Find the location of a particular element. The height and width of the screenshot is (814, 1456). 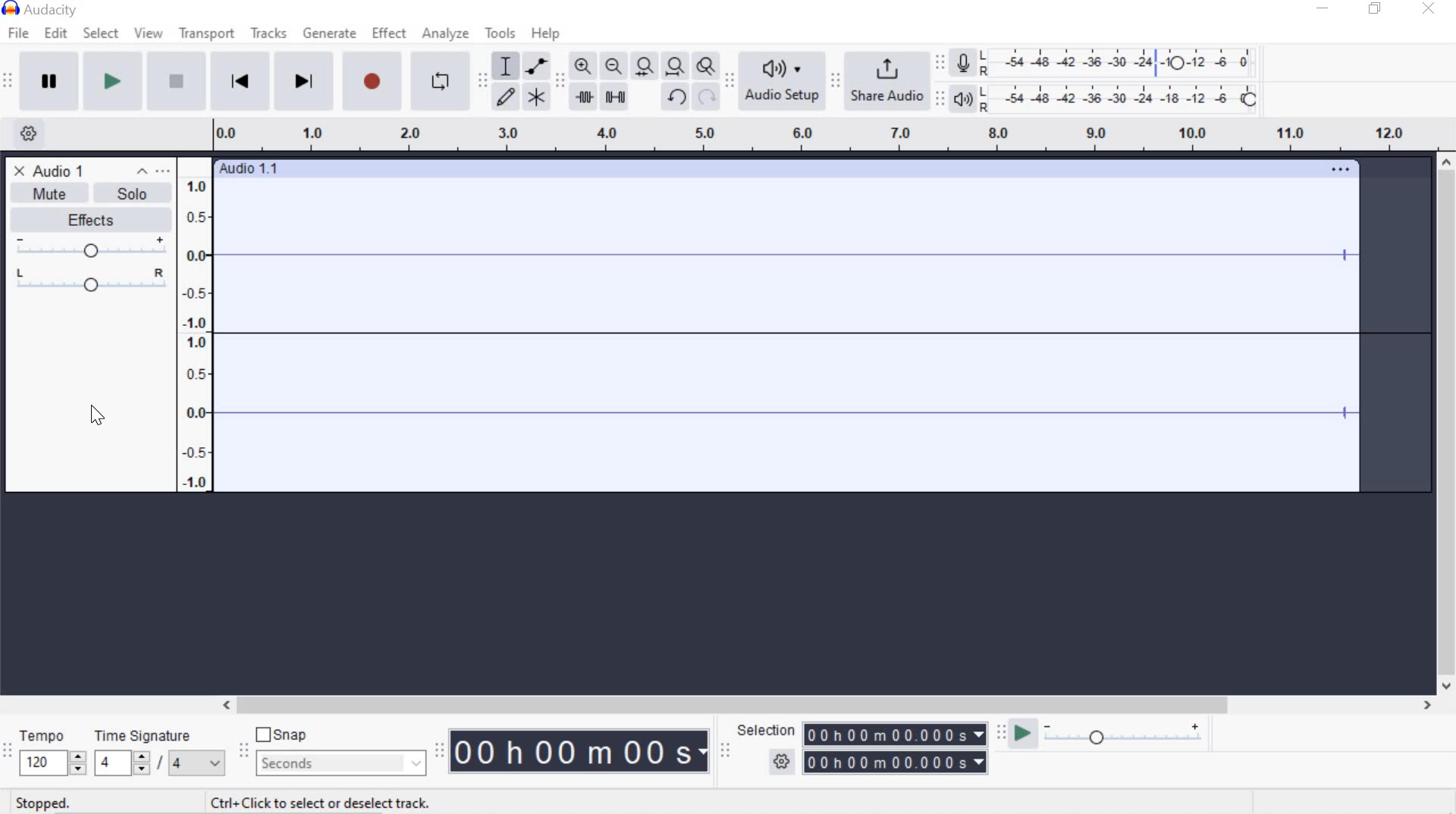

Envelope Tool is located at coordinates (538, 65).